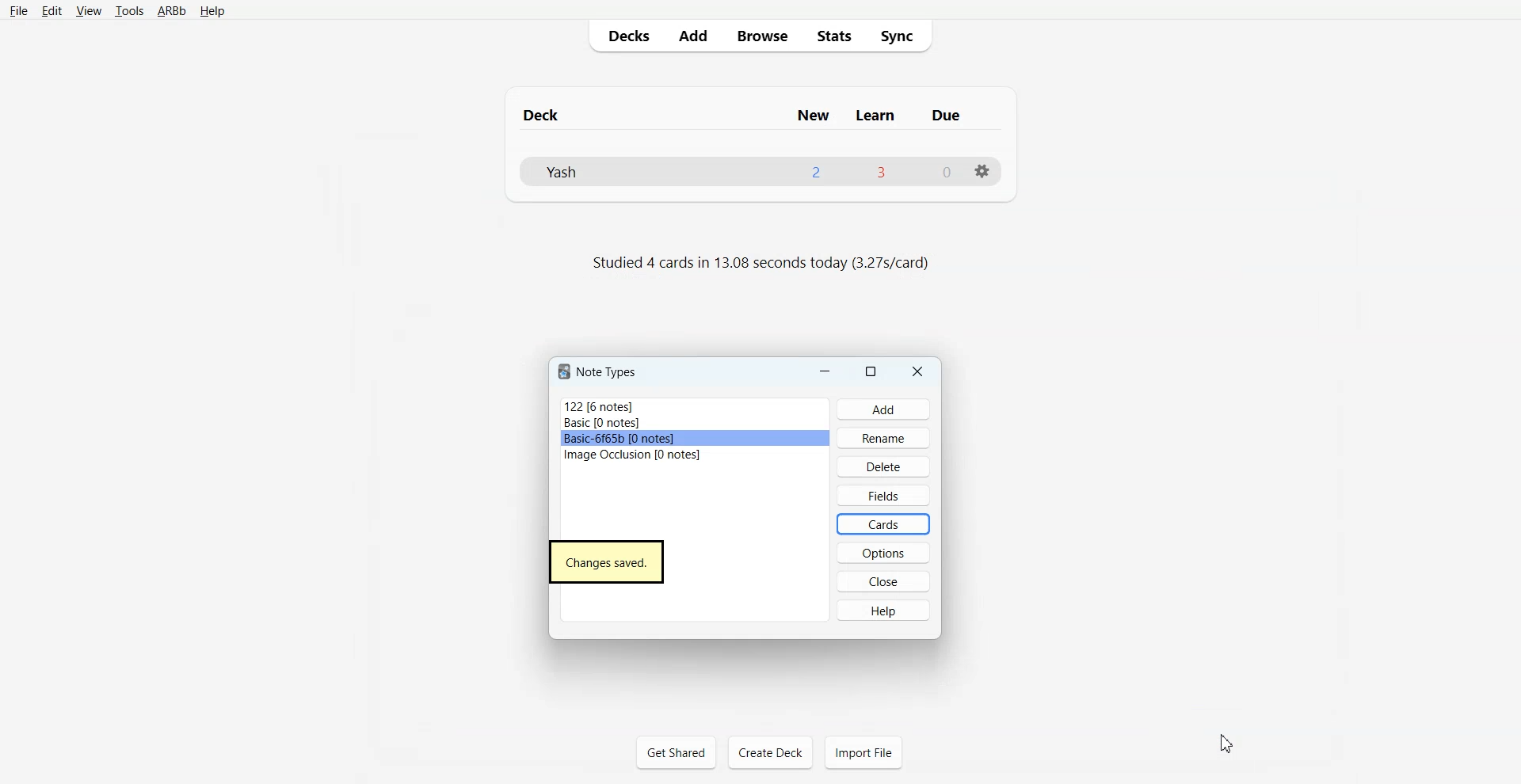 The height and width of the screenshot is (784, 1521). I want to click on options, so click(888, 553).